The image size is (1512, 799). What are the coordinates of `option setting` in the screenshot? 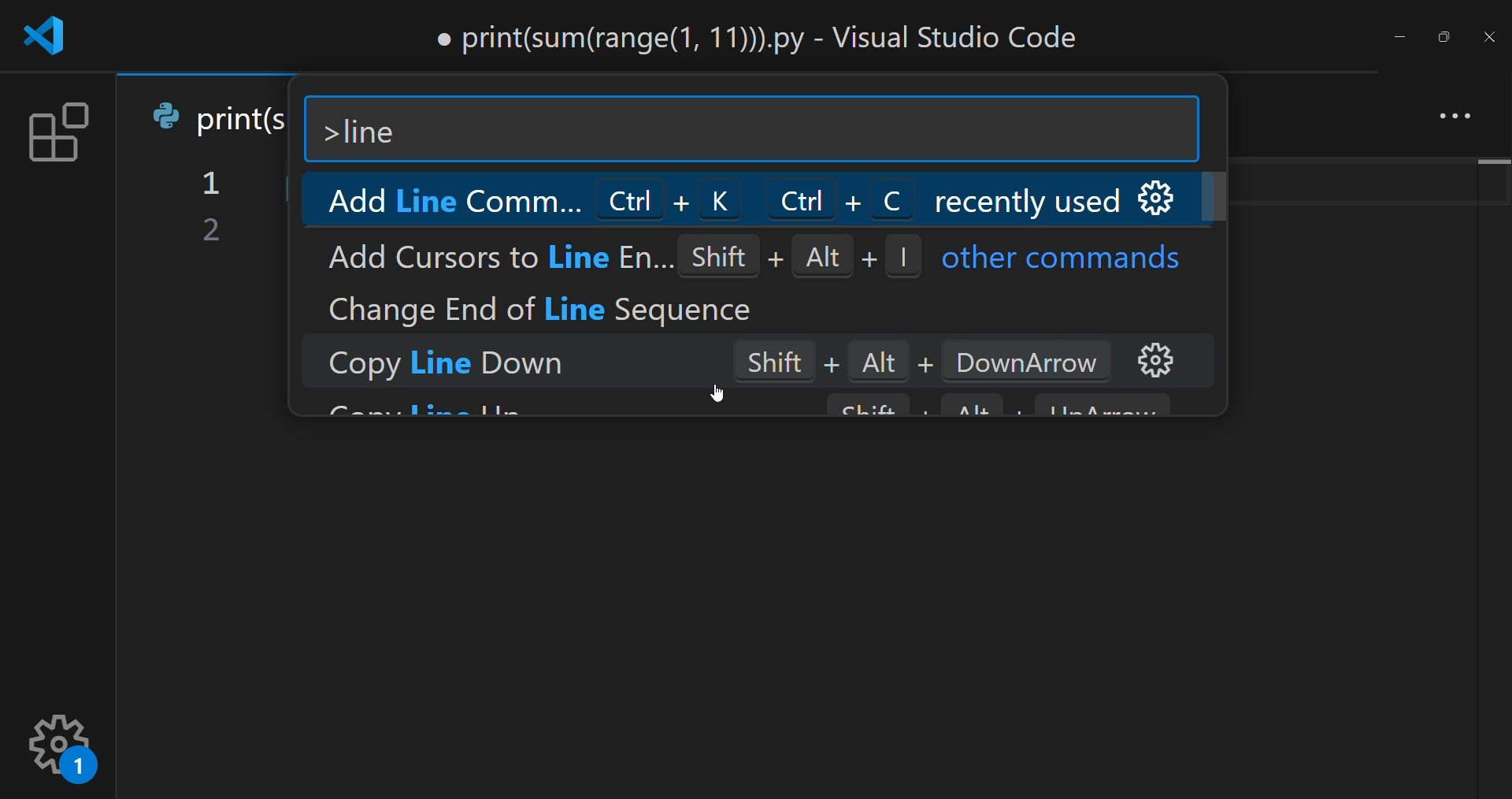 It's located at (1165, 197).